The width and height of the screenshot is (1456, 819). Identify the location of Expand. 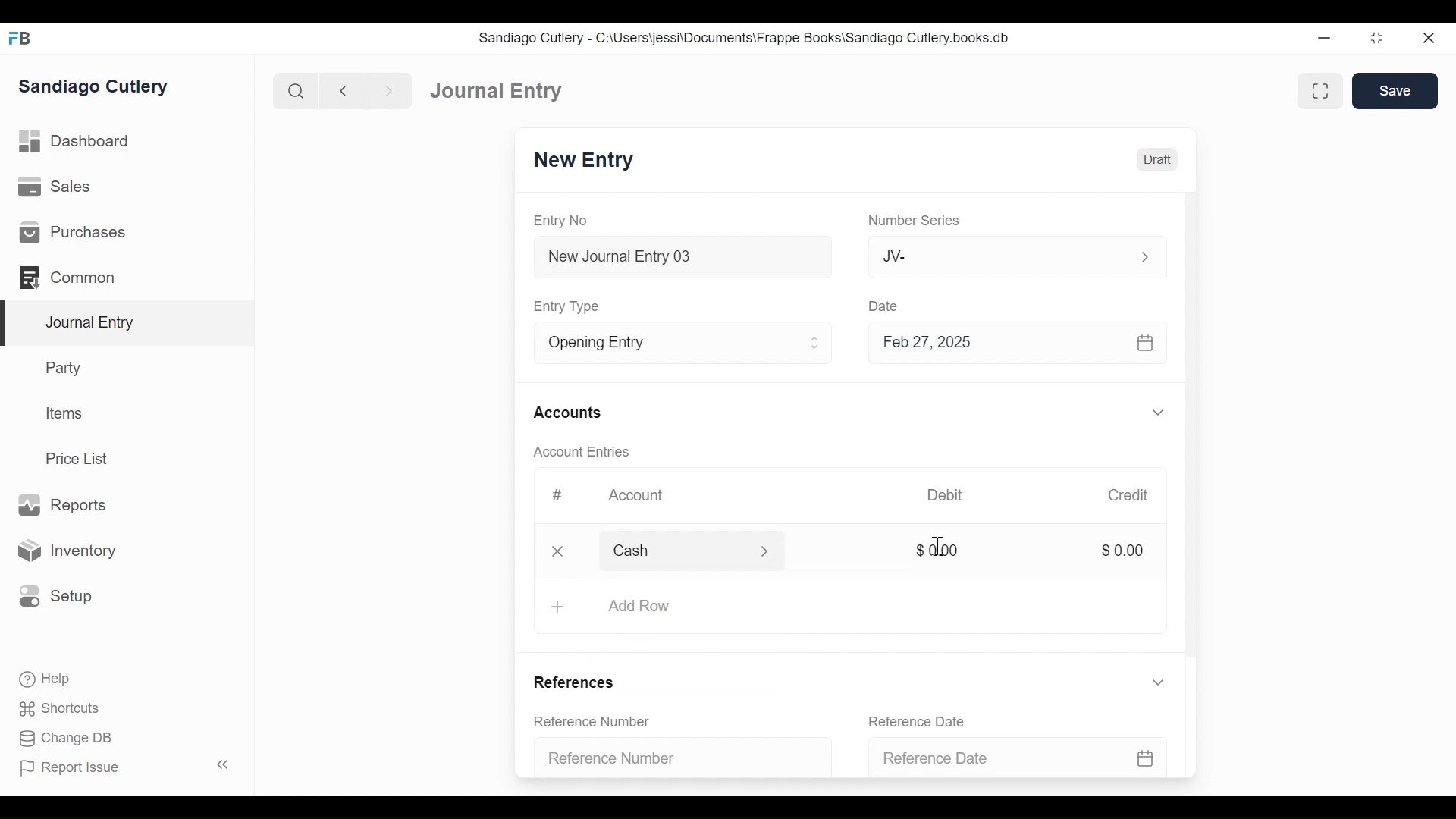
(766, 551).